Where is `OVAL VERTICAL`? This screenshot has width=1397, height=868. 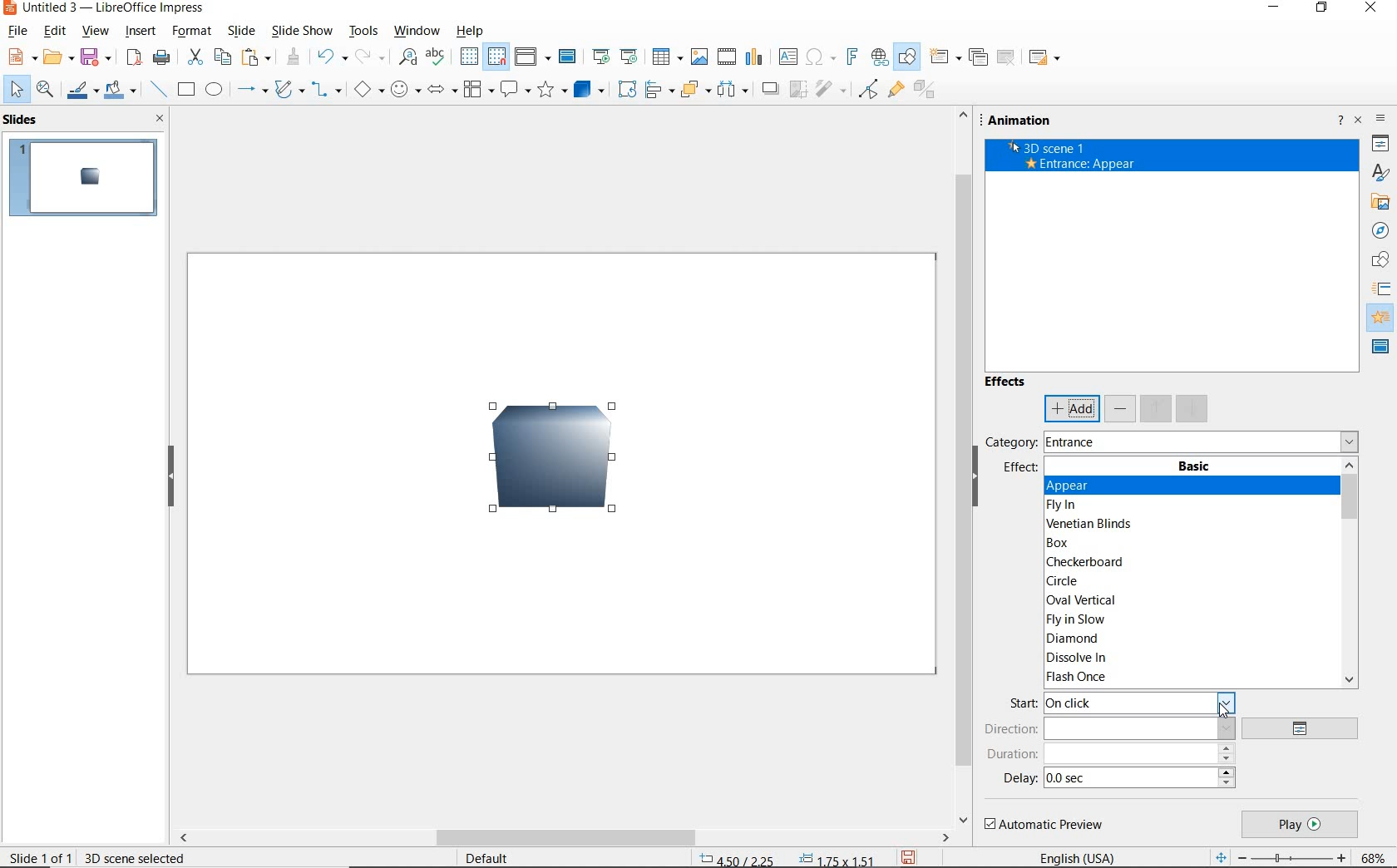
OVAL VERTICAL is located at coordinates (1080, 599).